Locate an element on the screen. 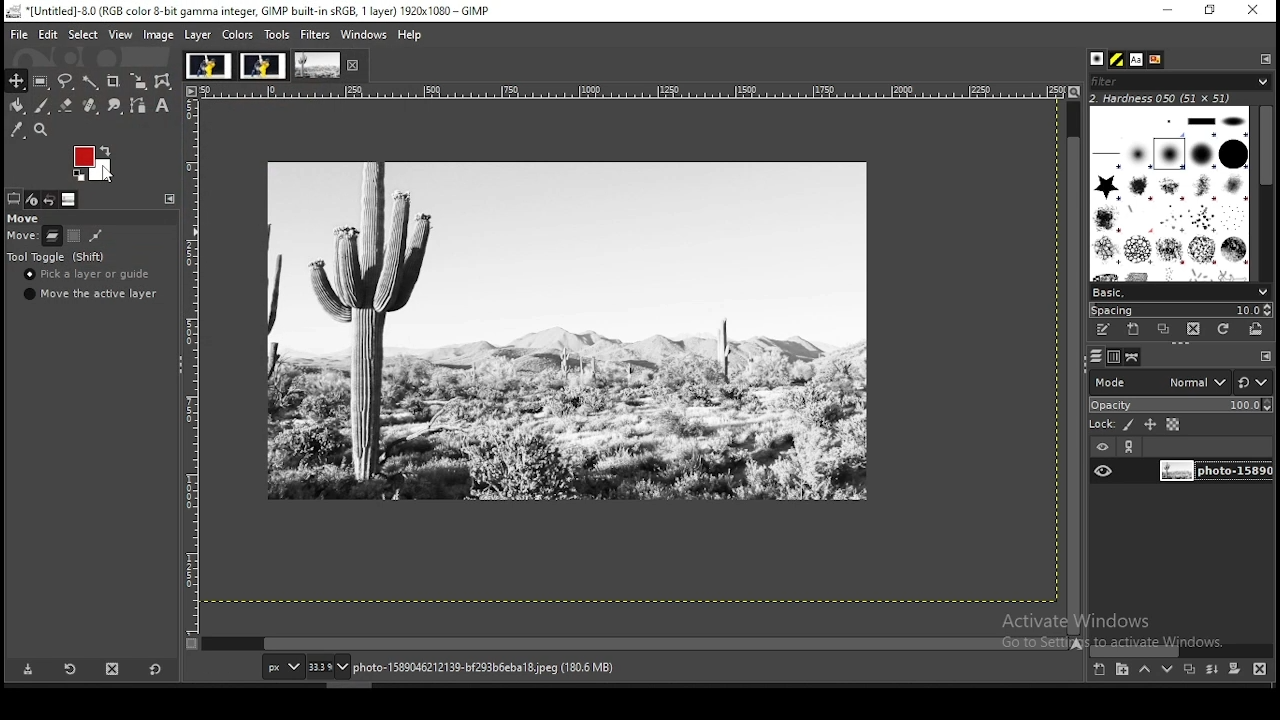 The width and height of the screenshot is (1280, 720). move is located at coordinates (21, 237).